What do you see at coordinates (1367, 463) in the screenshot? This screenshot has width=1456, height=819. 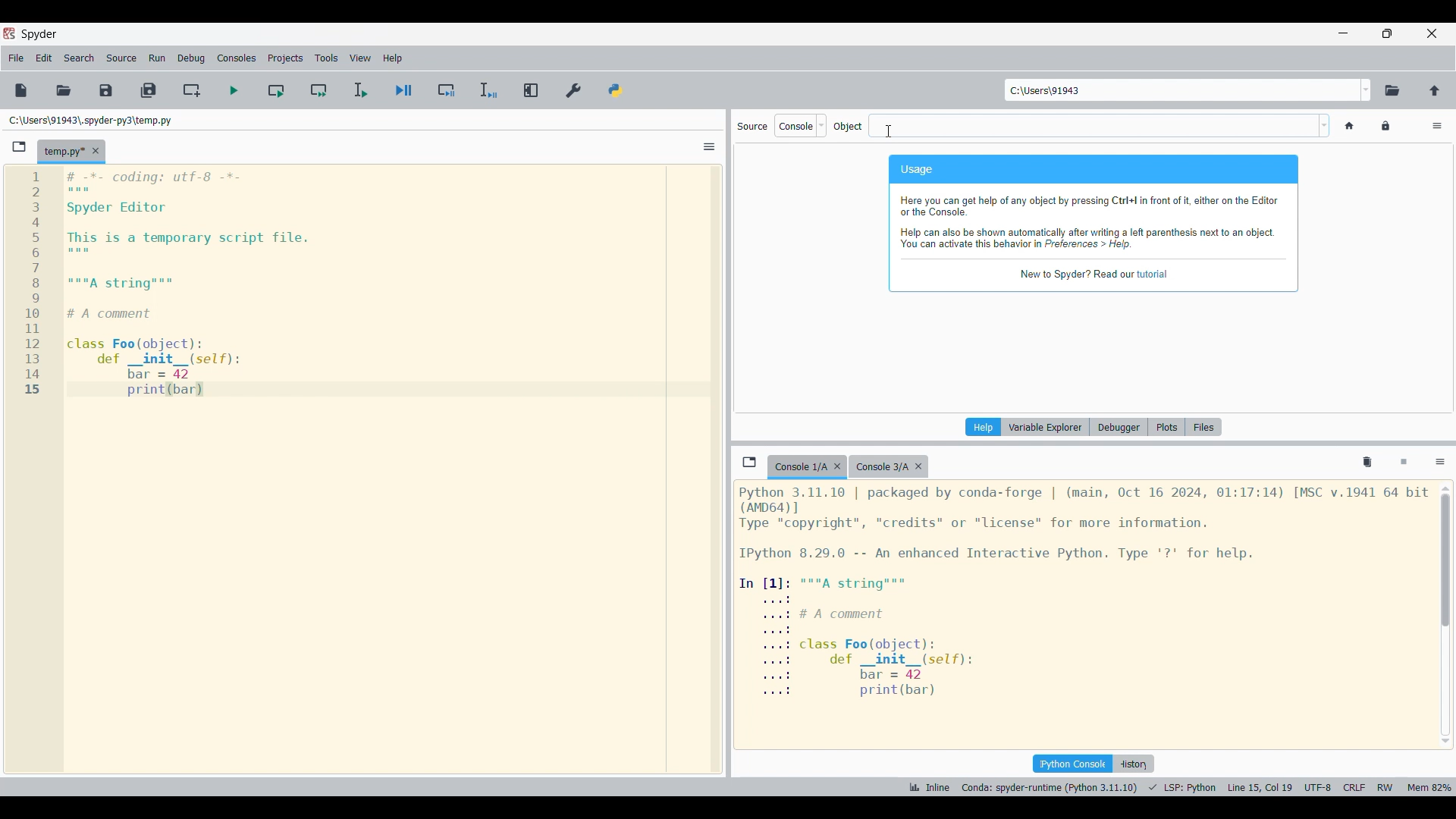 I see `Remove all variables from namespace` at bounding box center [1367, 463].